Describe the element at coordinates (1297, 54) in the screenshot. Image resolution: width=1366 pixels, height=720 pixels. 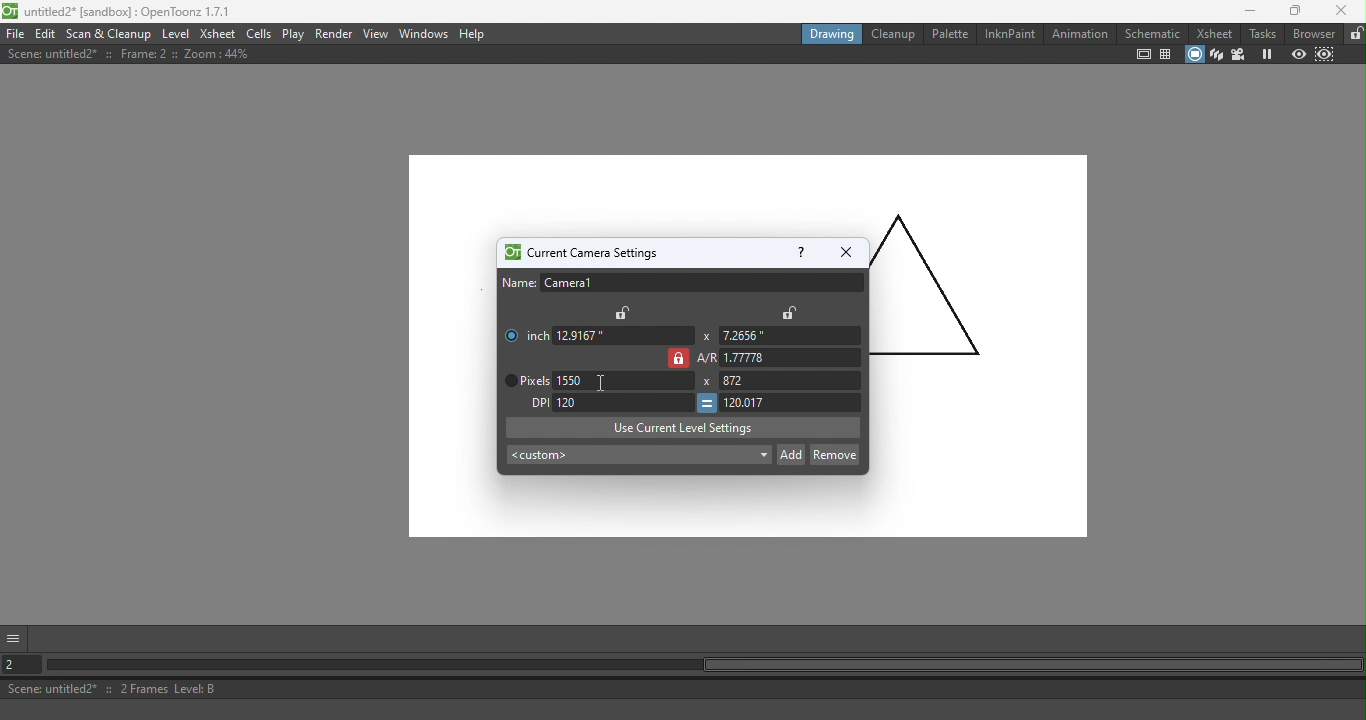
I see `Preview` at that location.